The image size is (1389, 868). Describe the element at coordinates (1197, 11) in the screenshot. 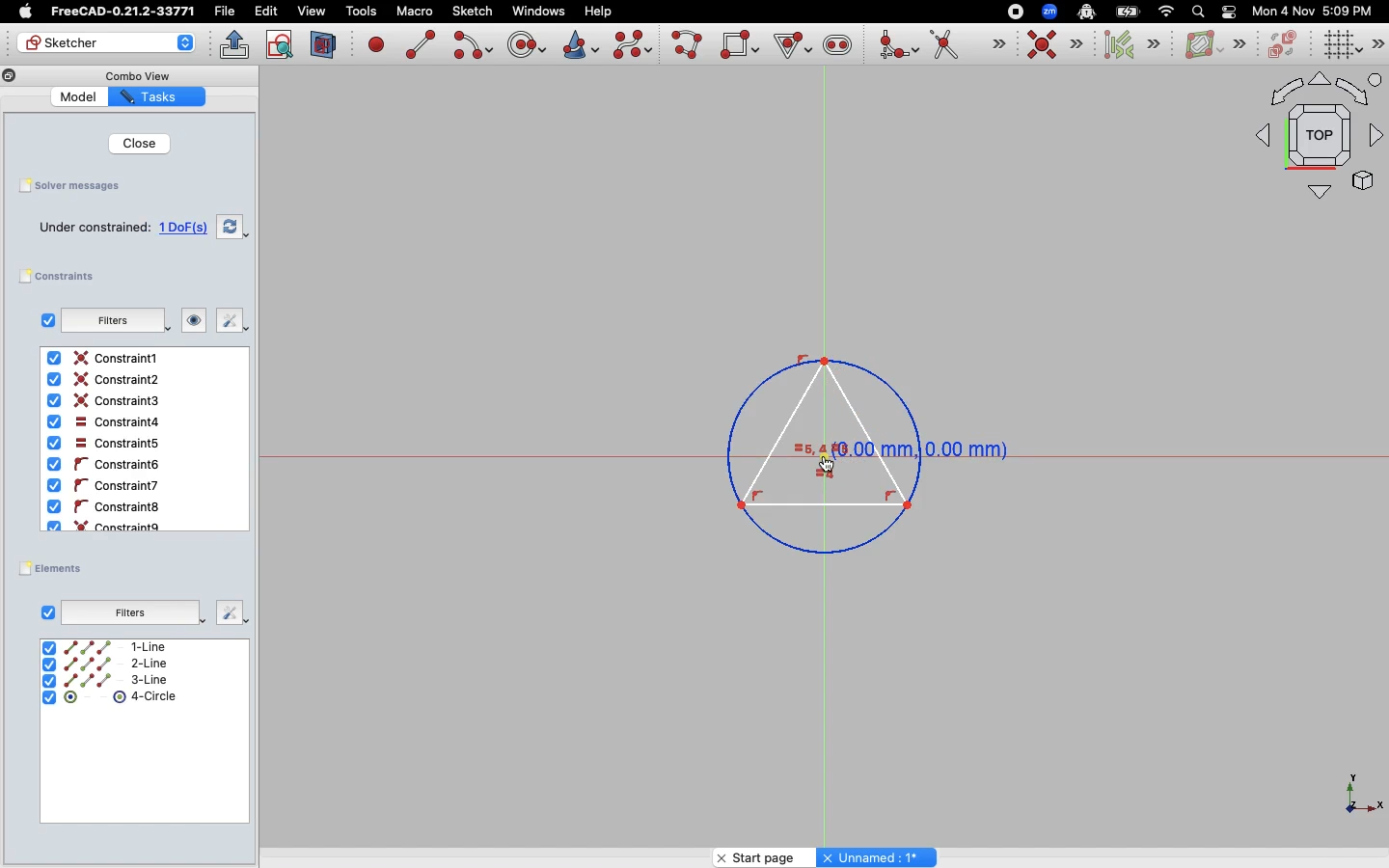

I see `Search` at that location.